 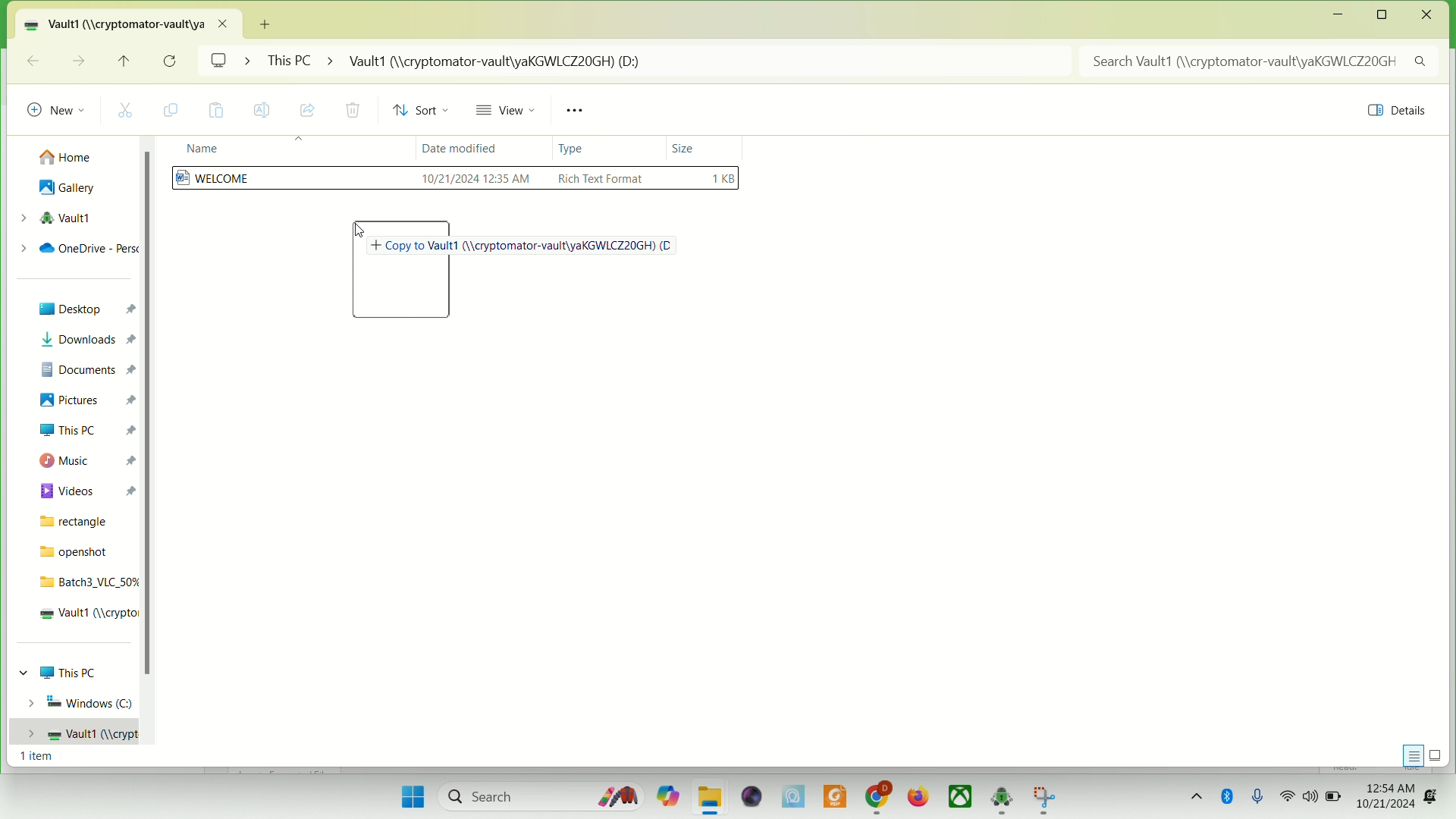 What do you see at coordinates (198, 149) in the screenshot?
I see `name` at bounding box center [198, 149].